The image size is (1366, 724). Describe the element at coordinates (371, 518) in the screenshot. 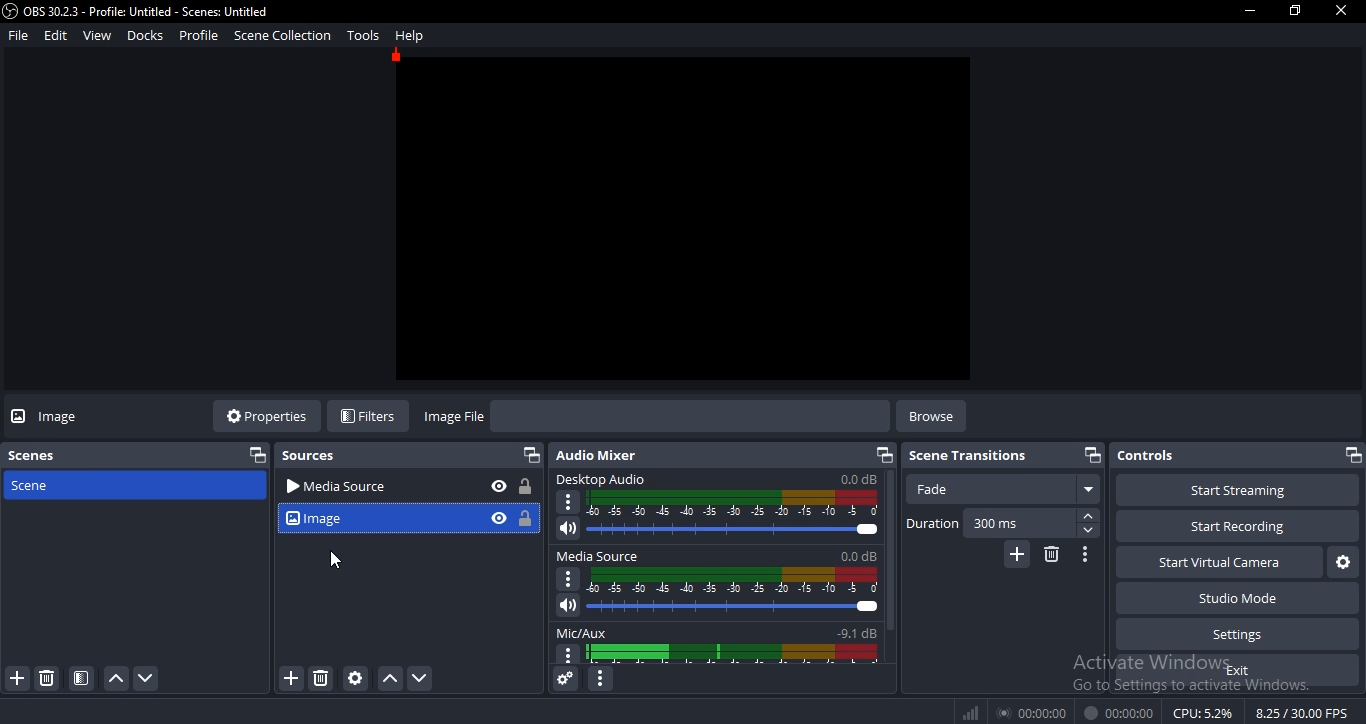

I see `image` at that location.